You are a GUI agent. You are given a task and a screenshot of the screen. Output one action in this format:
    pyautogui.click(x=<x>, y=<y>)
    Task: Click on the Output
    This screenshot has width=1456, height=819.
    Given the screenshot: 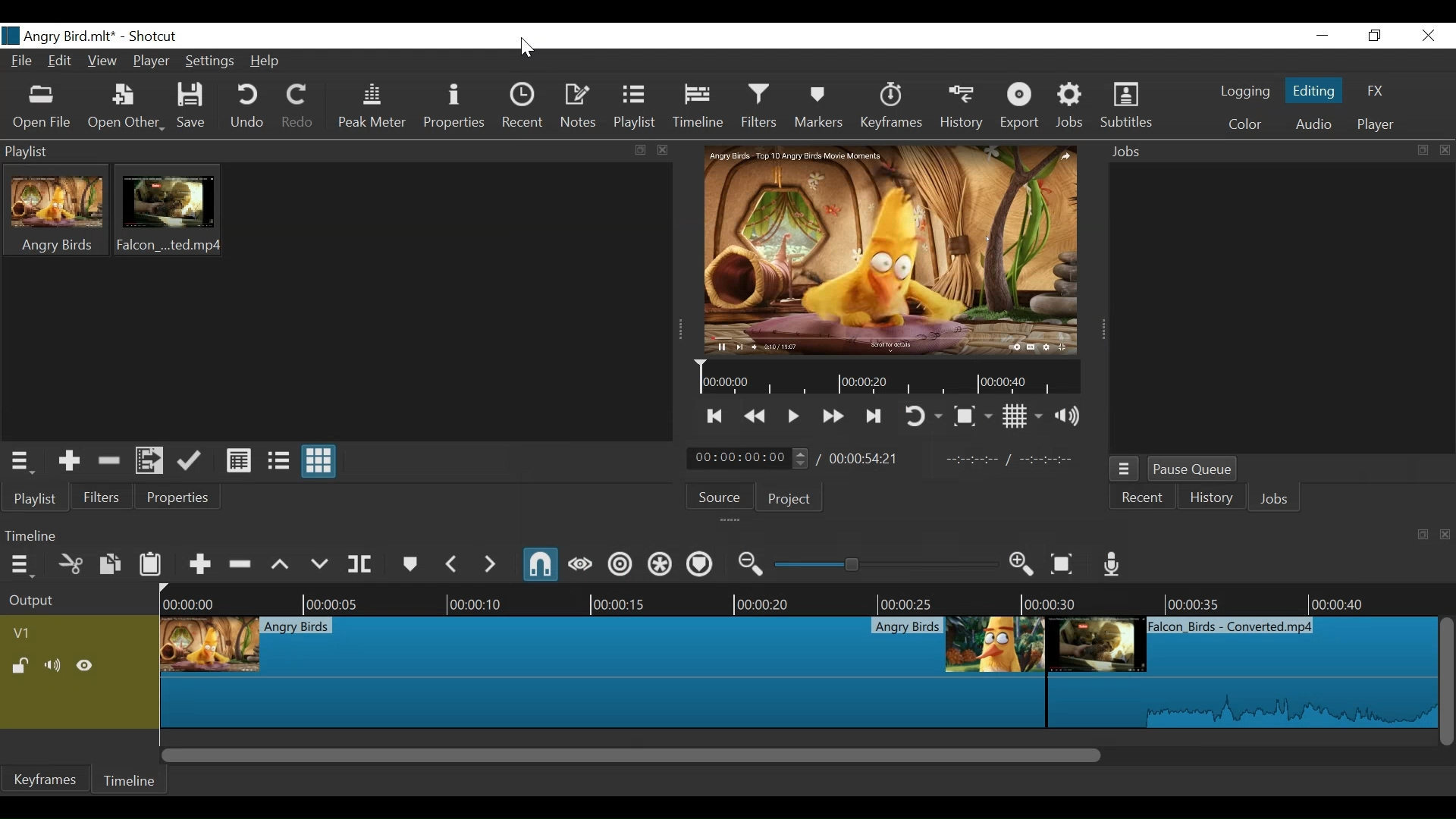 What is the action you would take?
    pyautogui.click(x=79, y=599)
    